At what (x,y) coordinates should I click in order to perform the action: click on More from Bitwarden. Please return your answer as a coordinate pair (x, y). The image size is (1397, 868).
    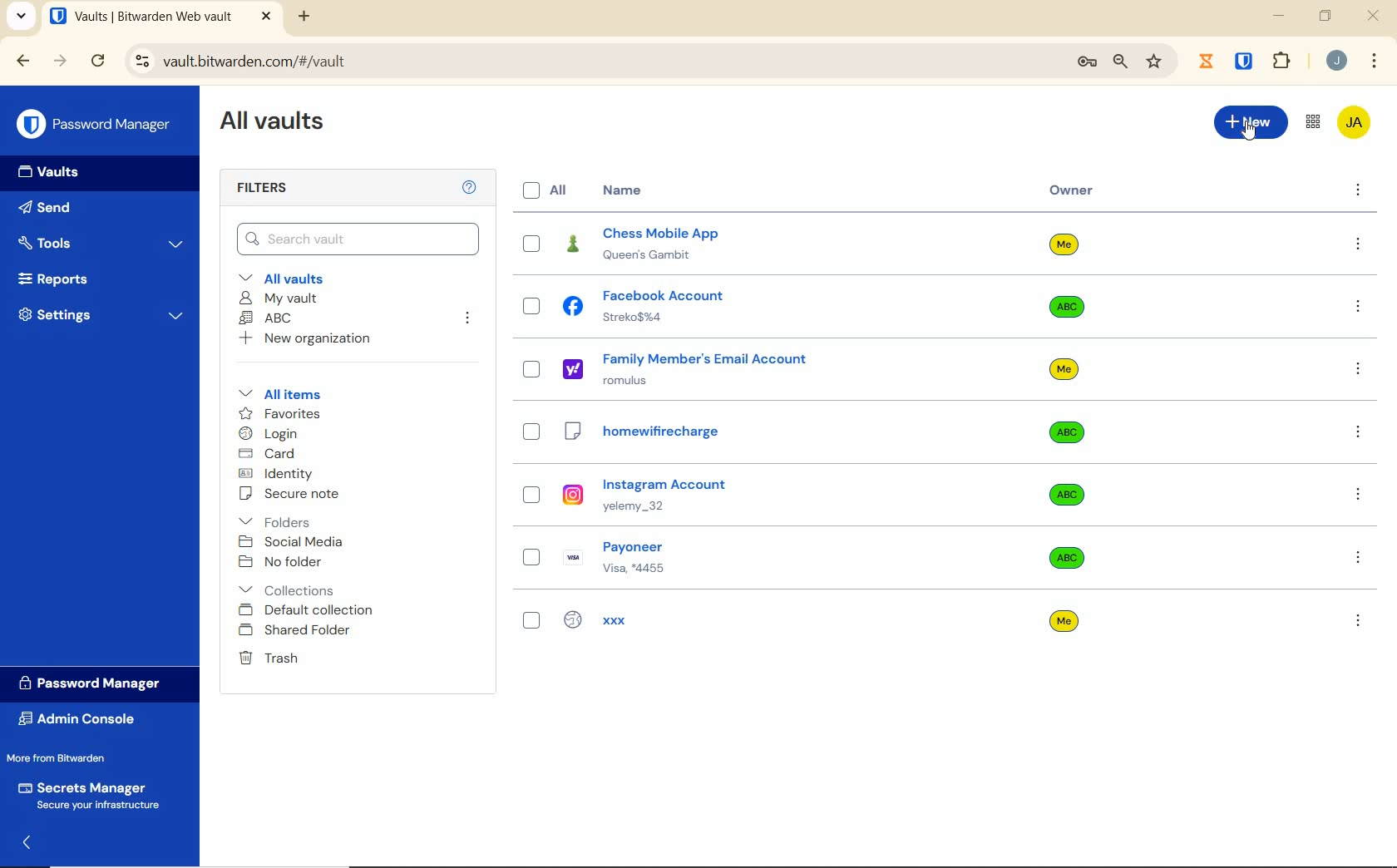
    Looking at the image, I should click on (73, 758).